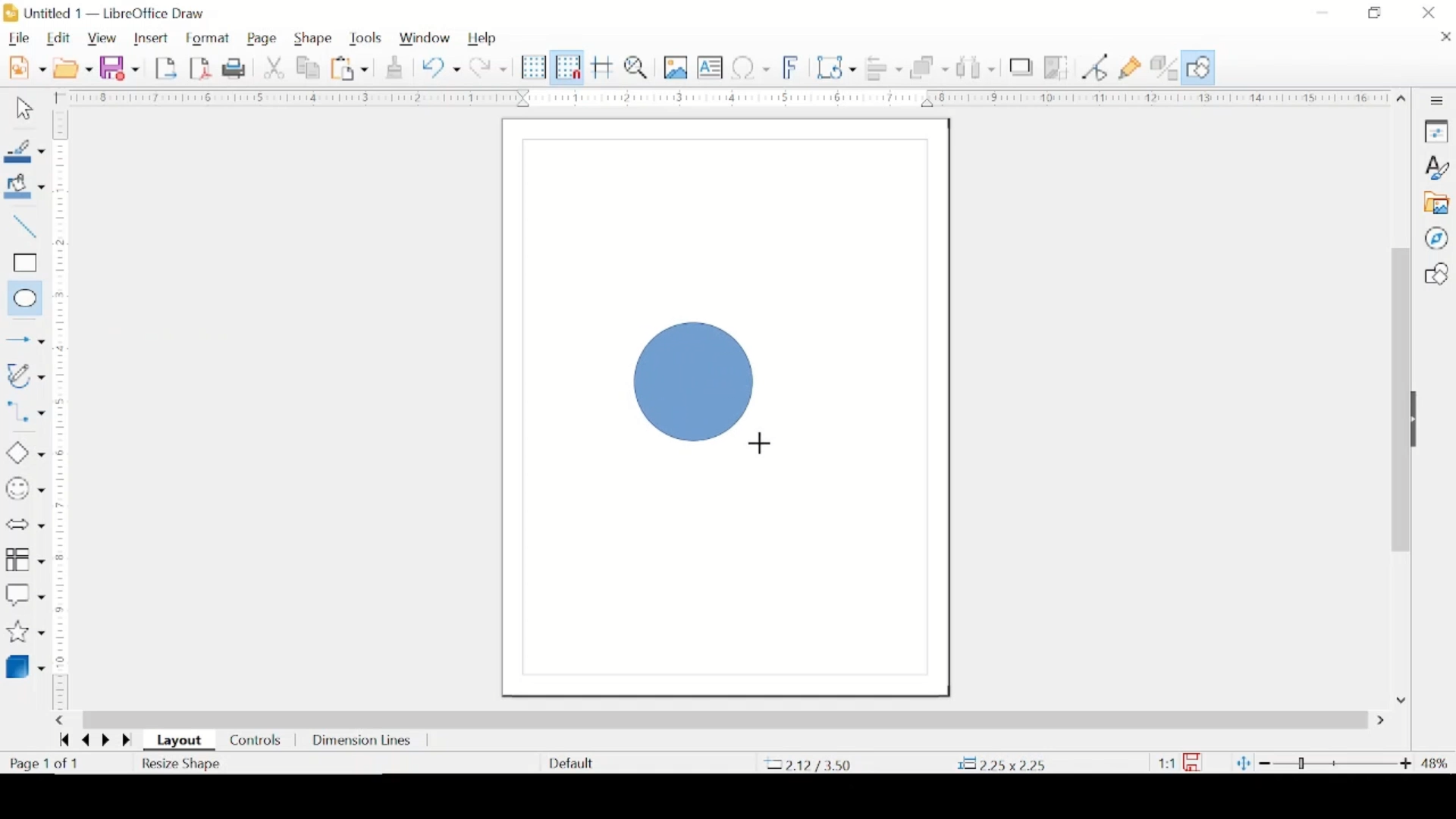 The image size is (1456, 819). I want to click on scroll box, so click(1398, 400).